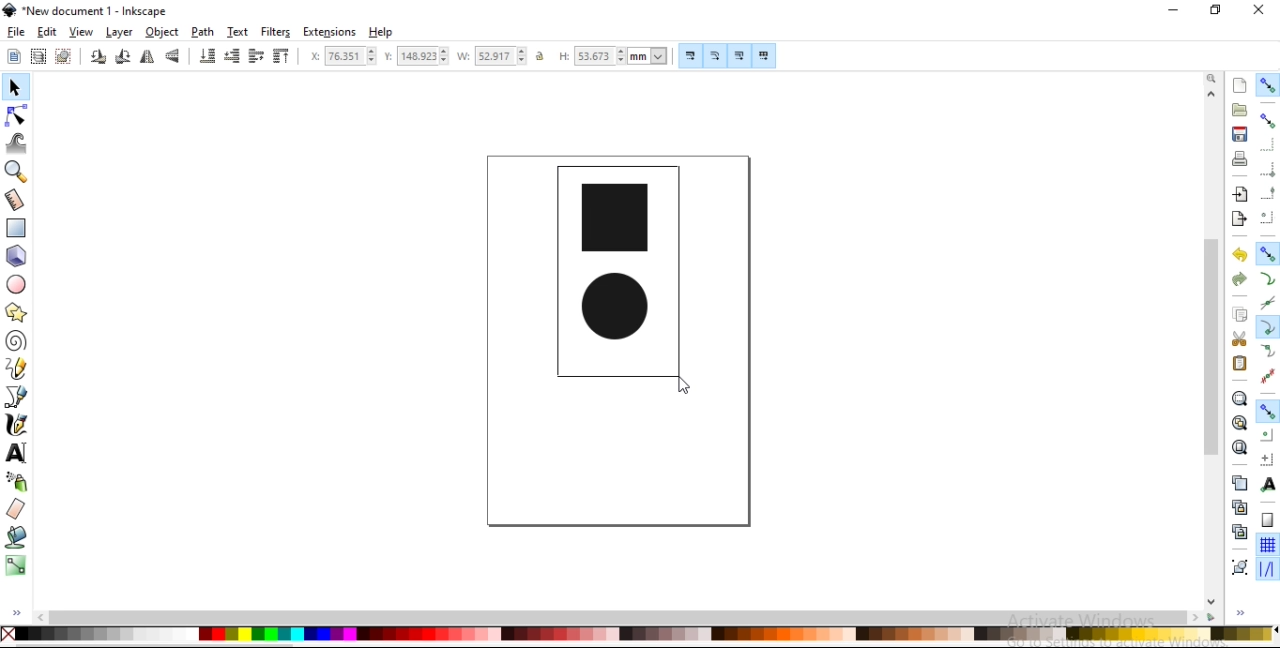 This screenshot has width=1280, height=648. What do you see at coordinates (381, 32) in the screenshot?
I see `help` at bounding box center [381, 32].